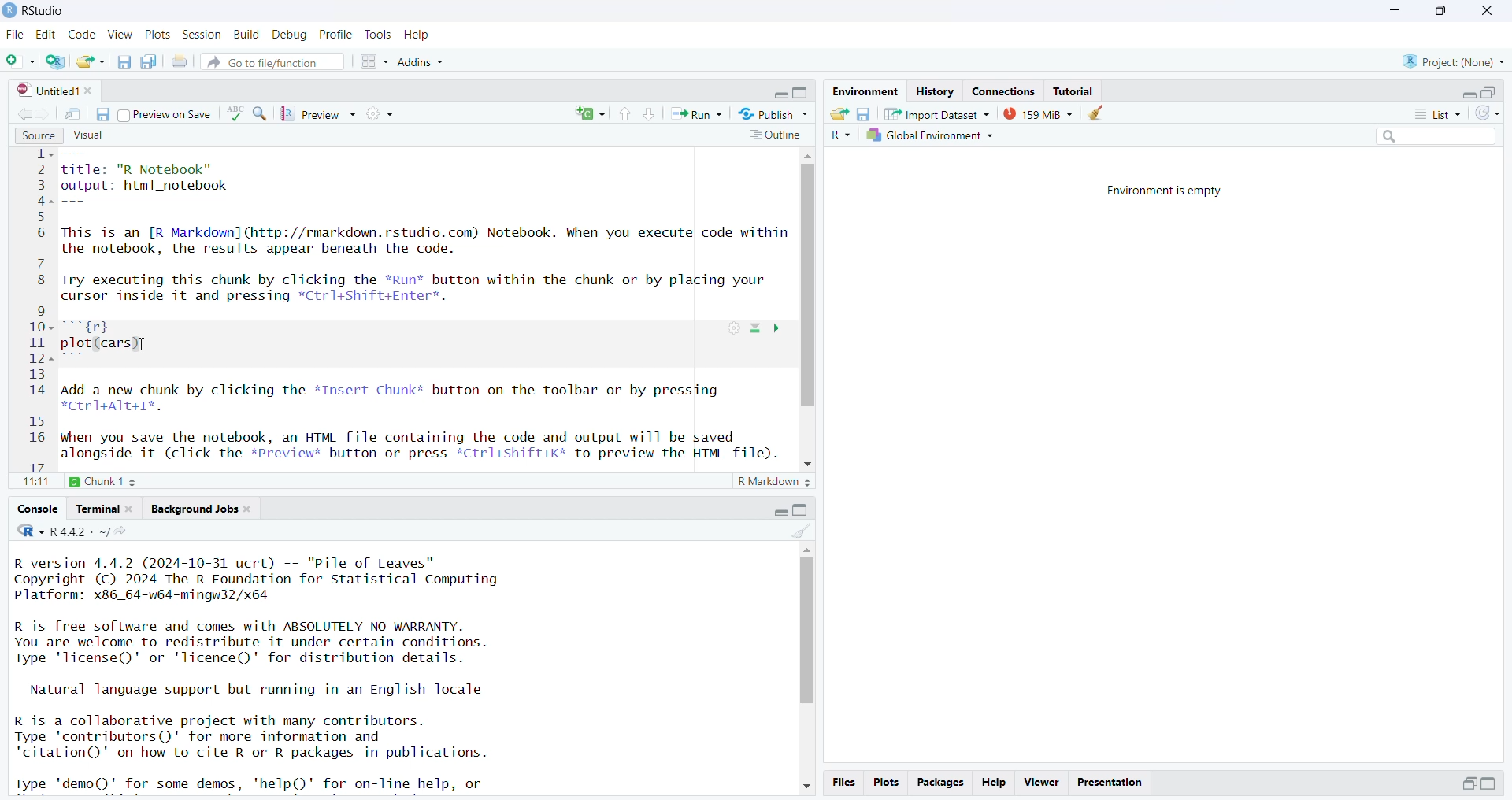  What do you see at coordinates (39, 483) in the screenshot?
I see `11:11` at bounding box center [39, 483].